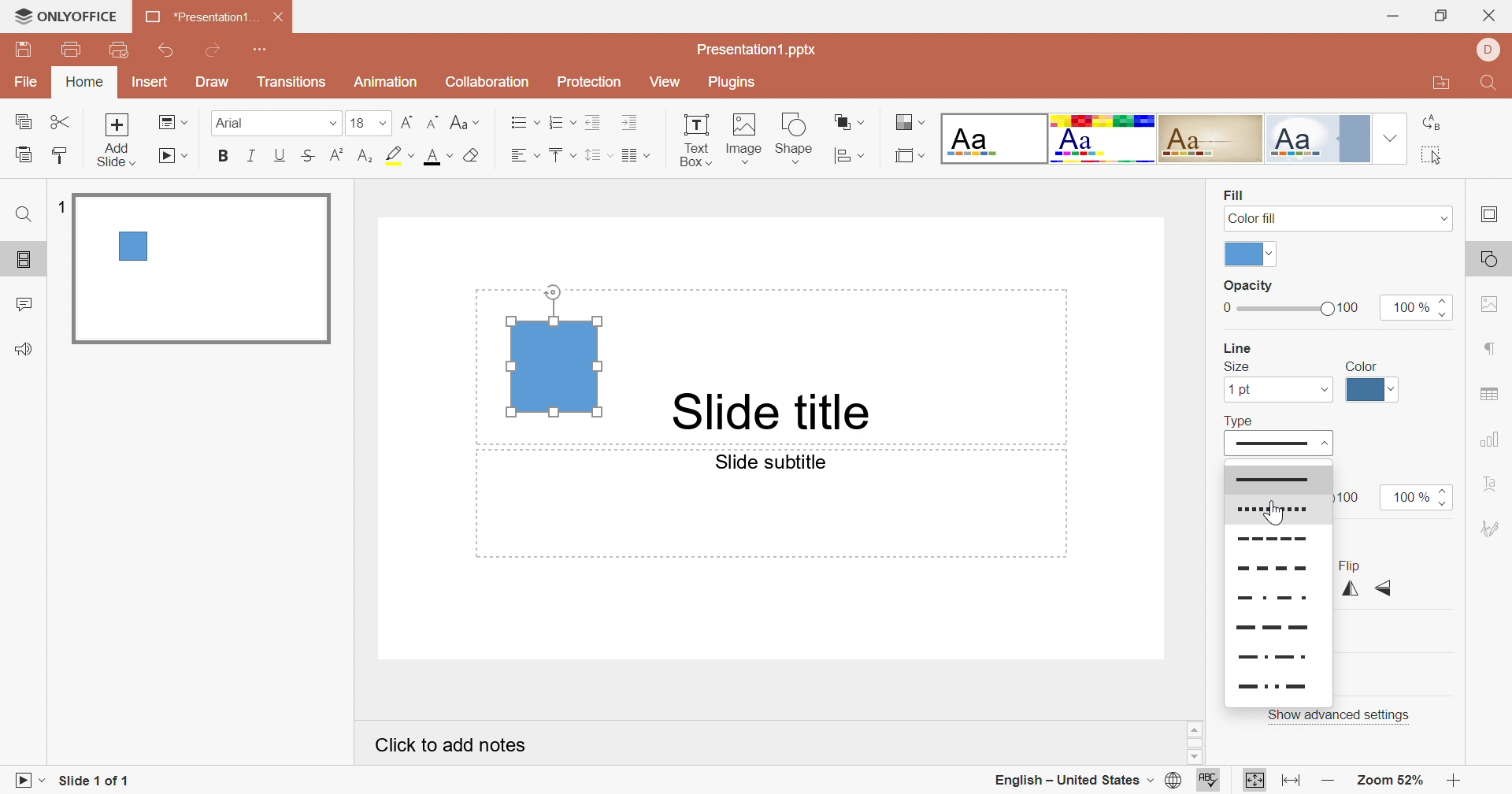  What do you see at coordinates (764, 51) in the screenshot?
I see `Presentation1.pptx` at bounding box center [764, 51].